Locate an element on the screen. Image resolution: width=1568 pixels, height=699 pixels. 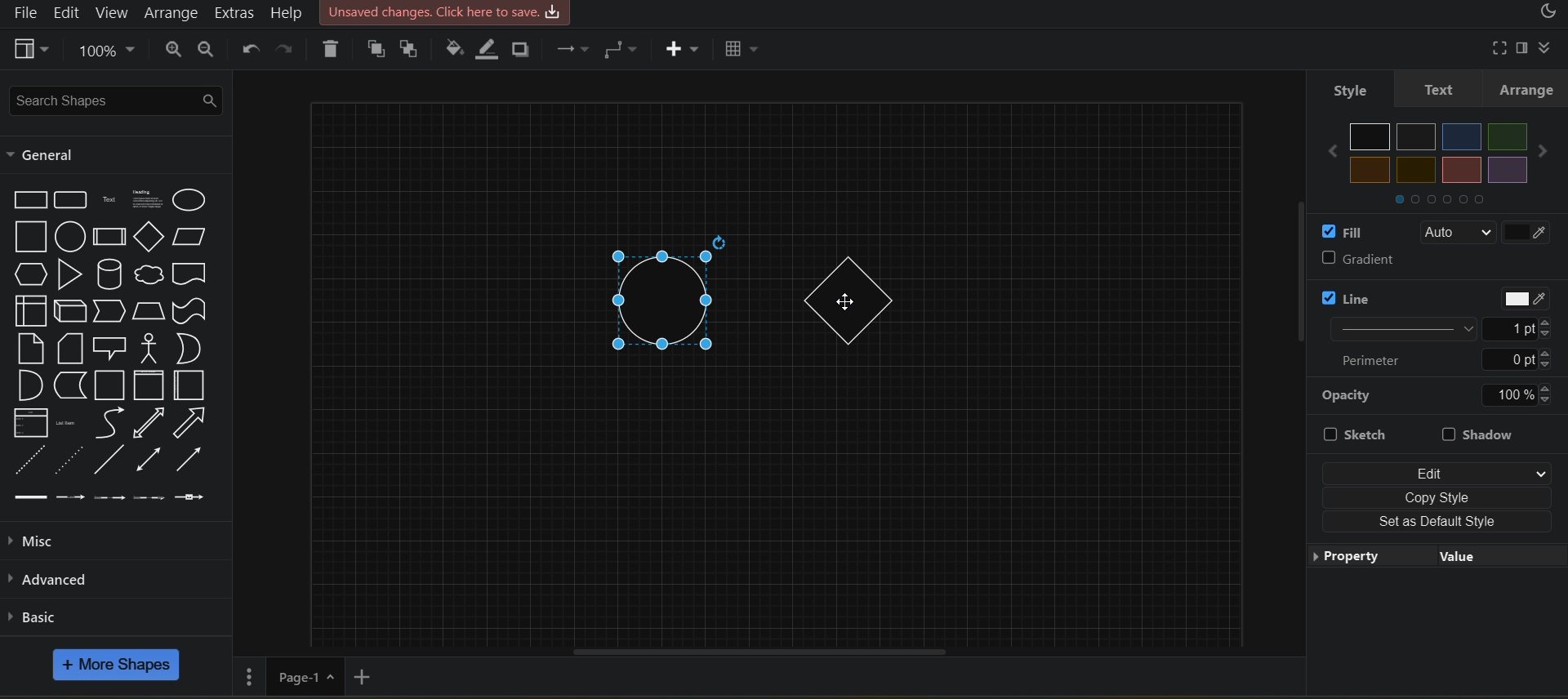
Bidirection Arrow is located at coordinates (148, 422).